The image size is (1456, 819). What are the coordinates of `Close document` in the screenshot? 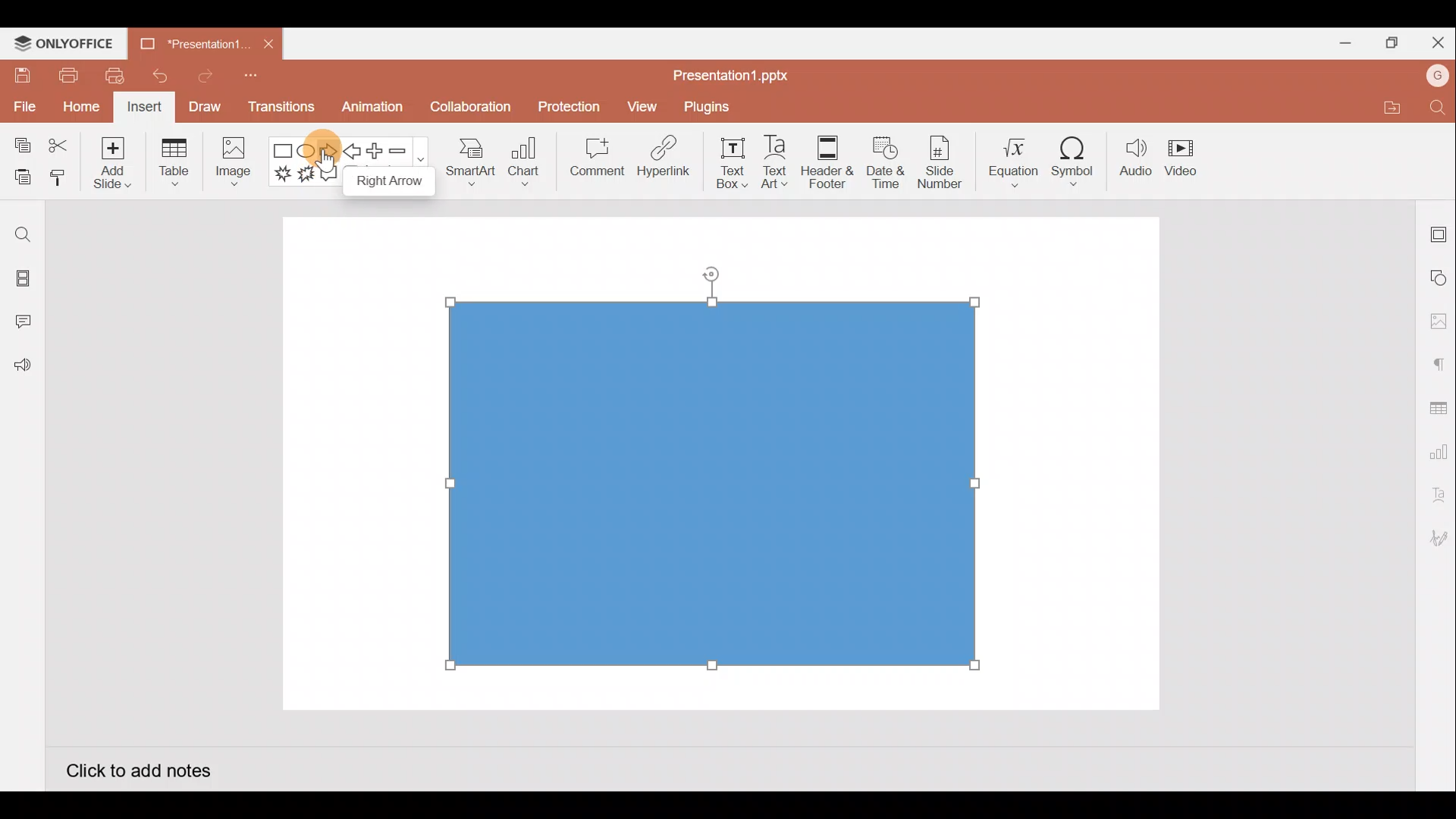 It's located at (268, 40).